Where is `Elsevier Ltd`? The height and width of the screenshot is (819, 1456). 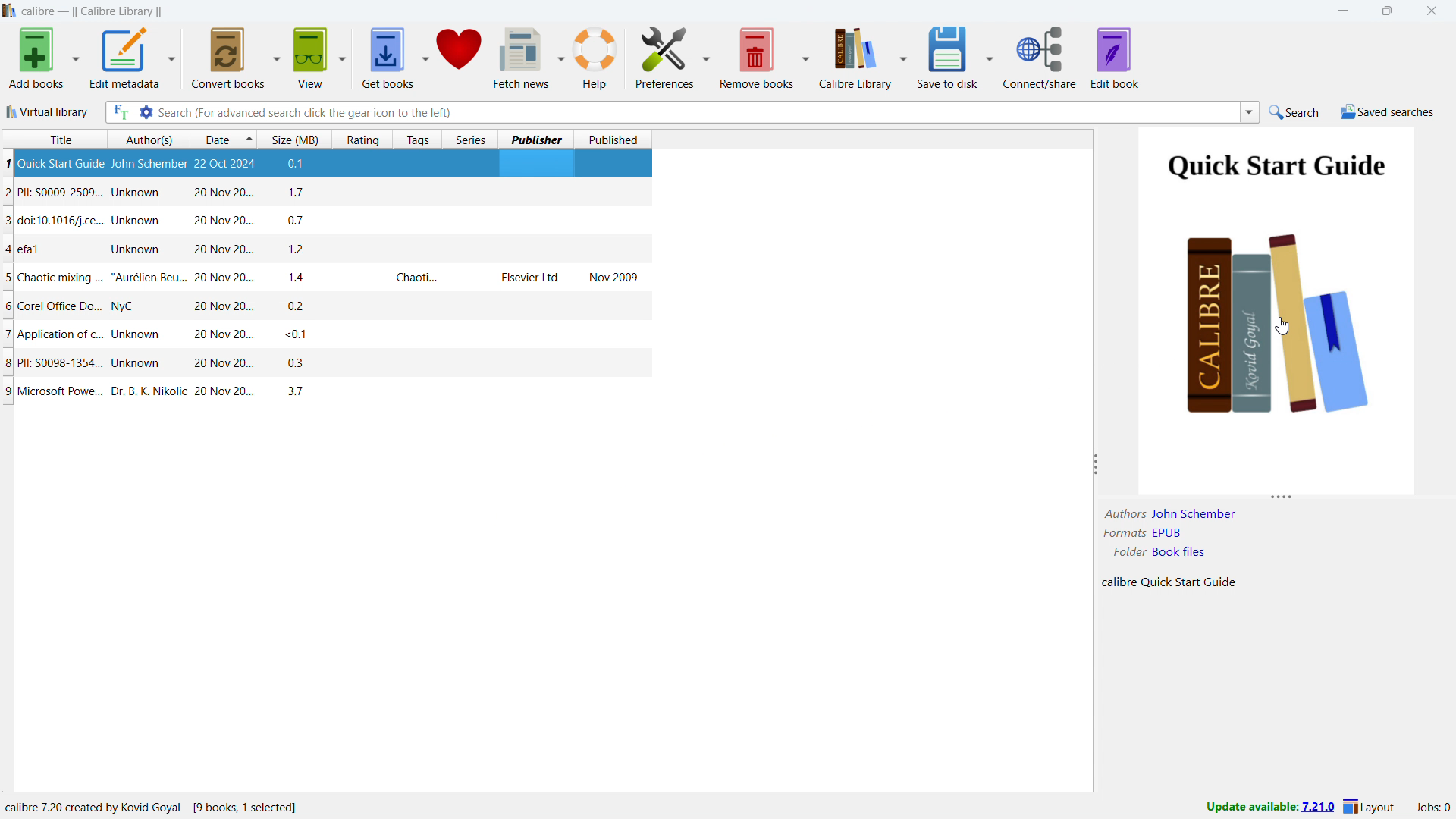
Elsevier Ltd is located at coordinates (529, 278).